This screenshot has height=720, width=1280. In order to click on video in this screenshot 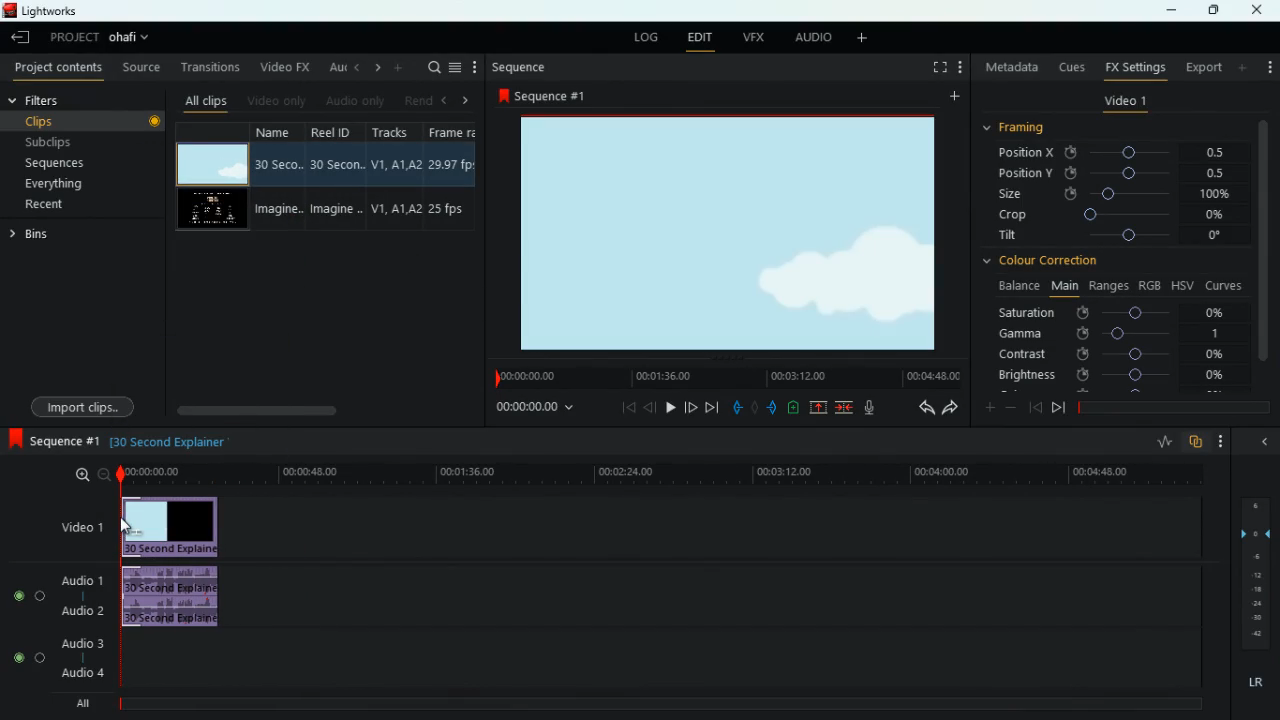, I will do `click(174, 527)`.